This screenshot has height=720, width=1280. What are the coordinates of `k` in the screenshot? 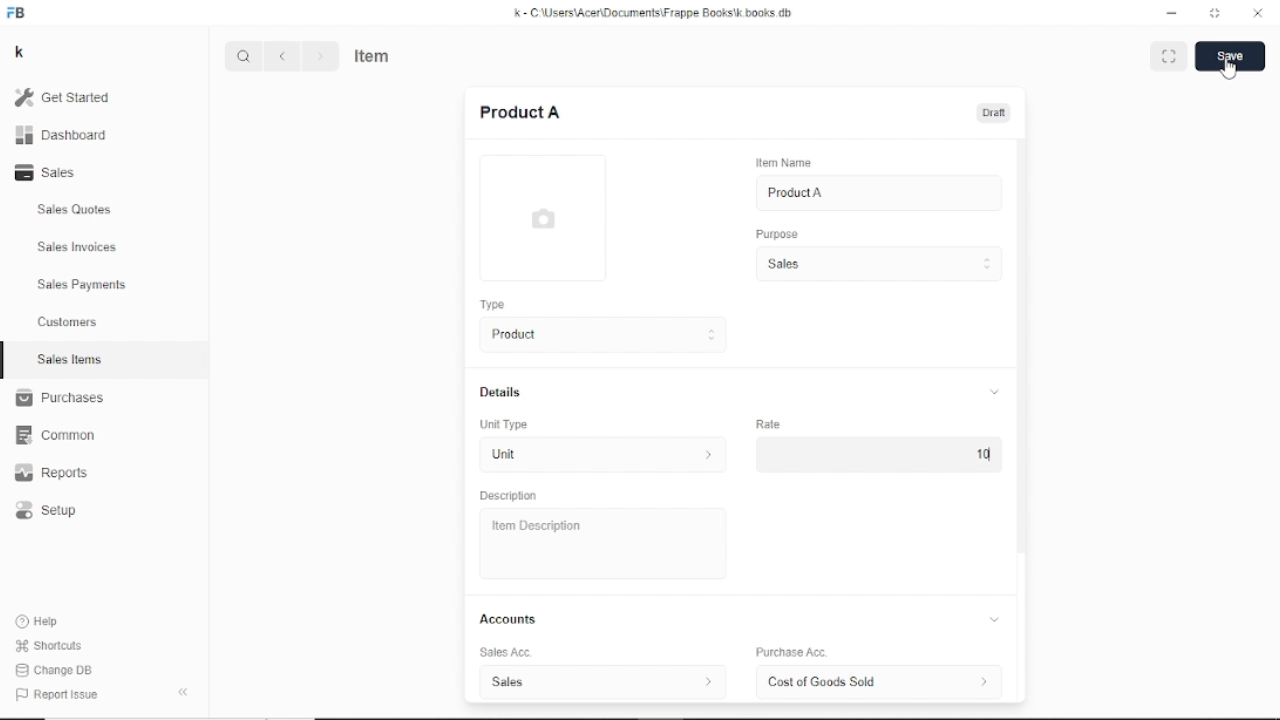 It's located at (22, 53).